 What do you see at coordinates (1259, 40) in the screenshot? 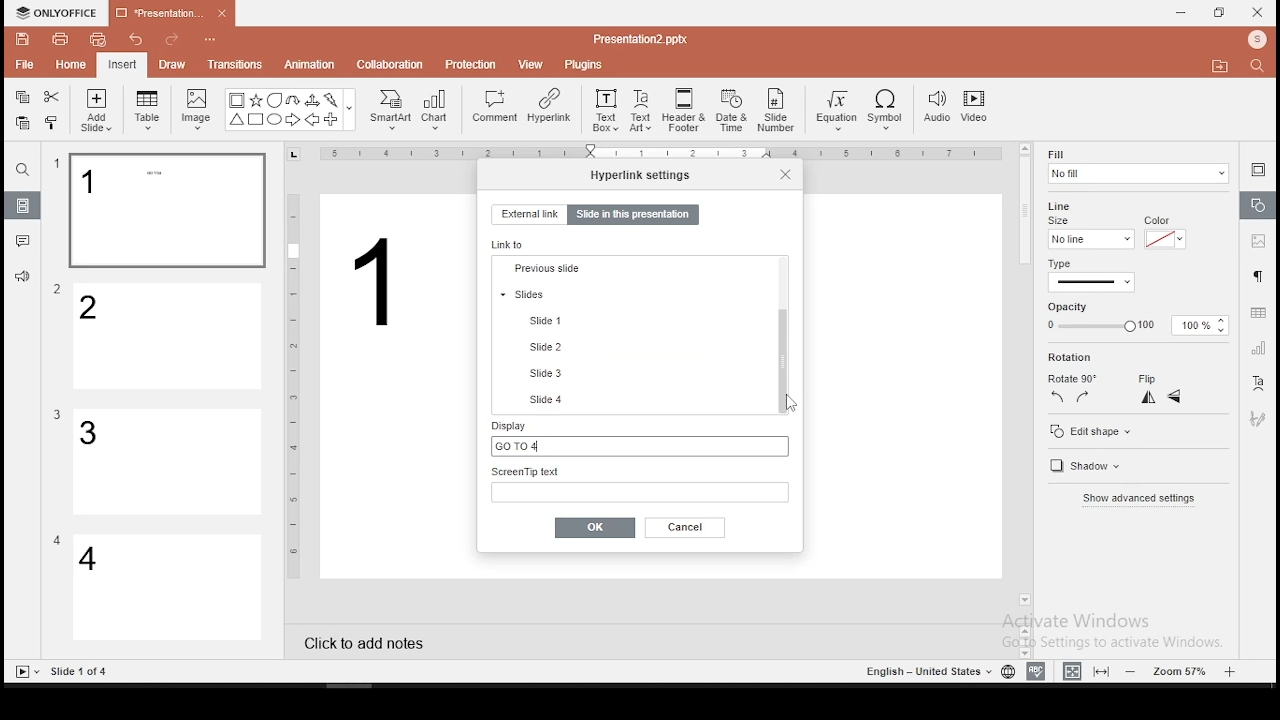
I see `Profile` at bounding box center [1259, 40].